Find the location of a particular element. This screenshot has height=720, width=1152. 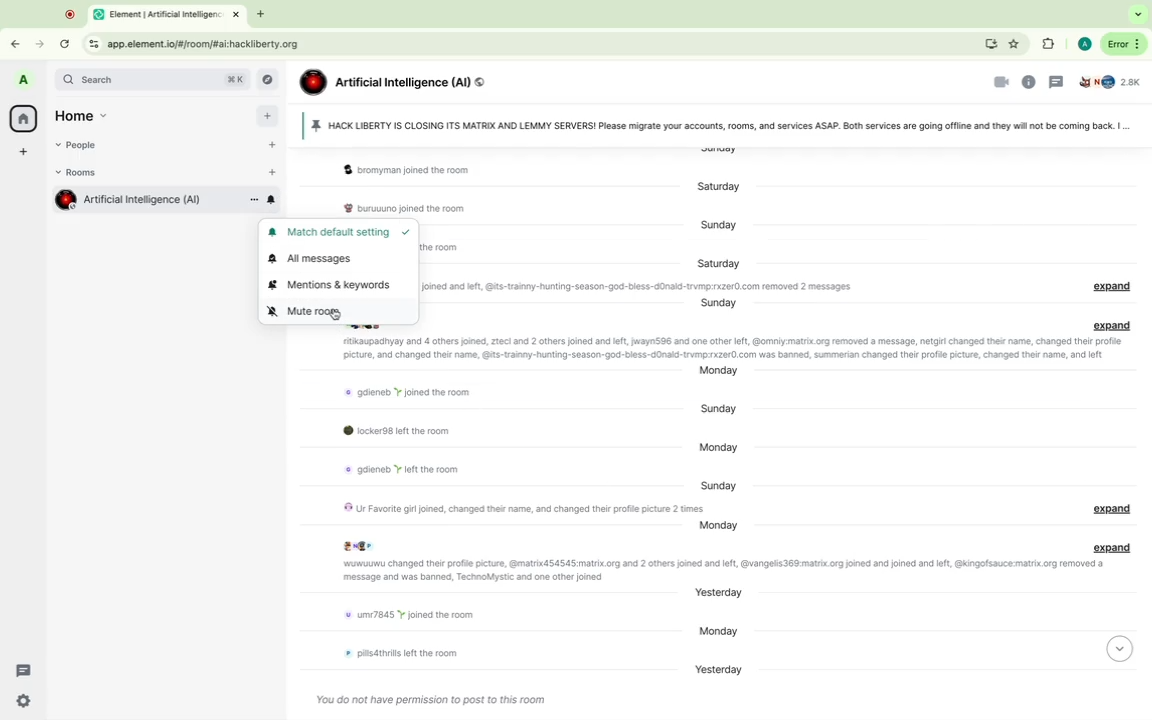

Message is located at coordinates (733, 350).